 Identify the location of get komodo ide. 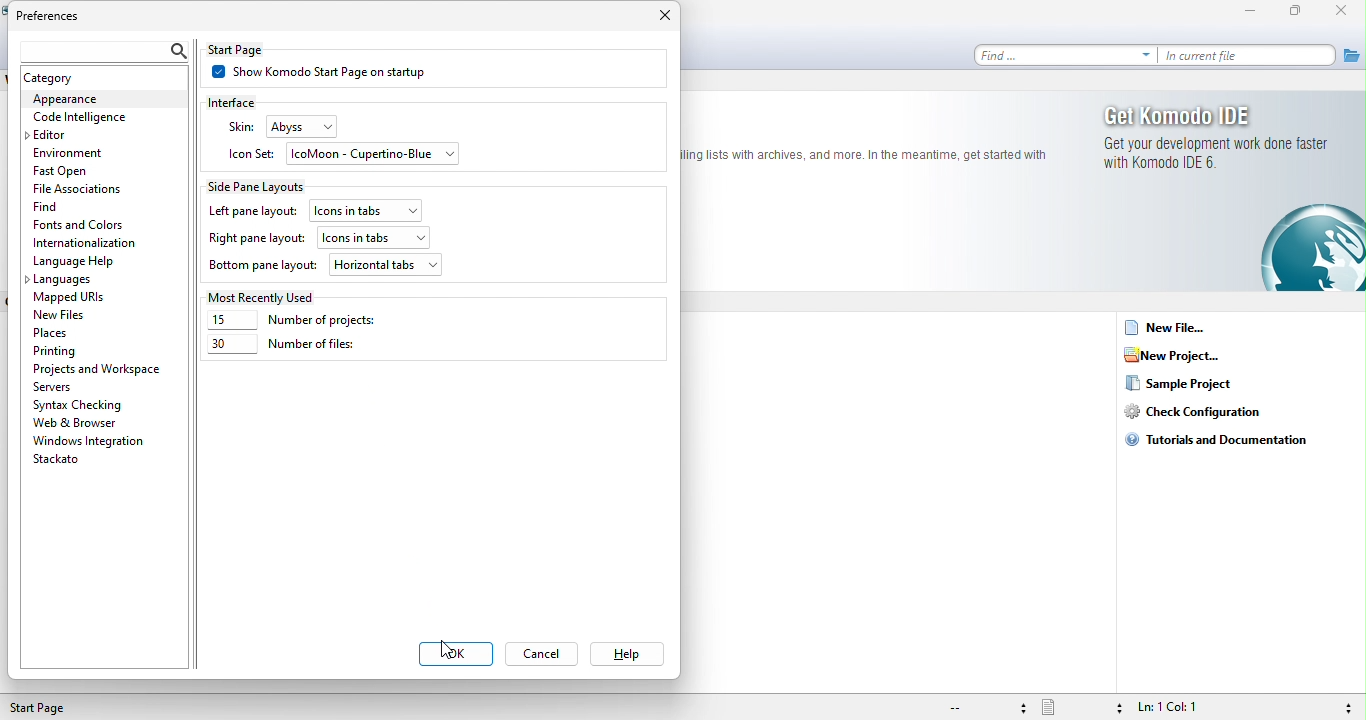
(1220, 115).